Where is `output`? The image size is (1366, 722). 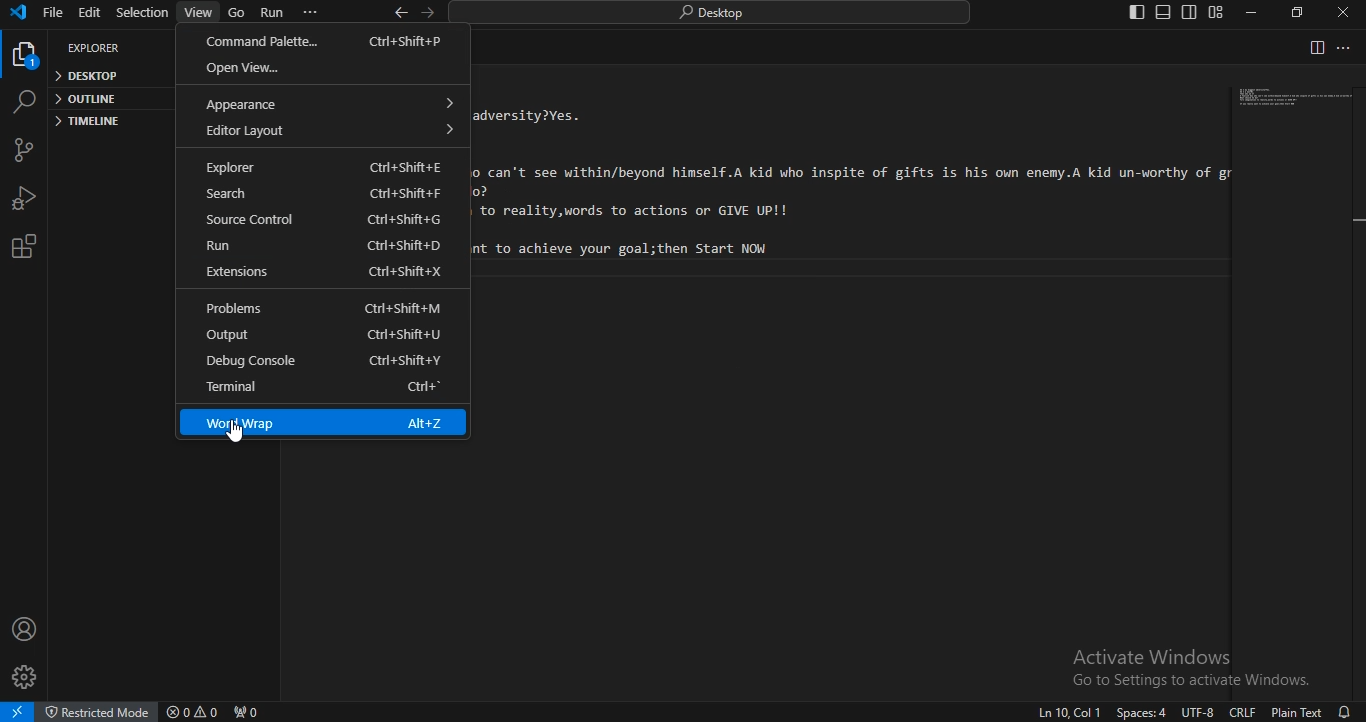 output is located at coordinates (325, 336).